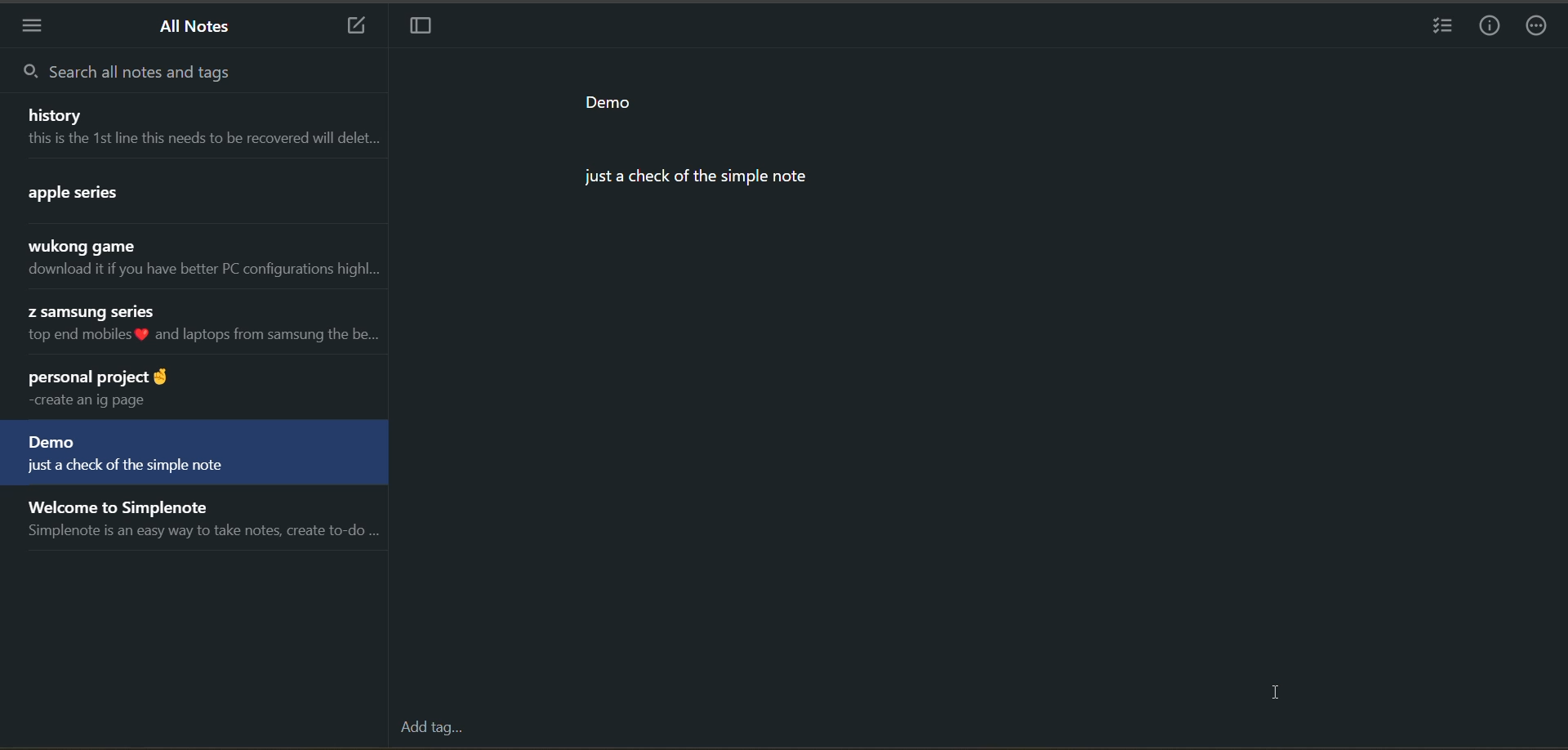 This screenshot has height=750, width=1568. Describe the element at coordinates (430, 729) in the screenshot. I see `add tag` at that location.